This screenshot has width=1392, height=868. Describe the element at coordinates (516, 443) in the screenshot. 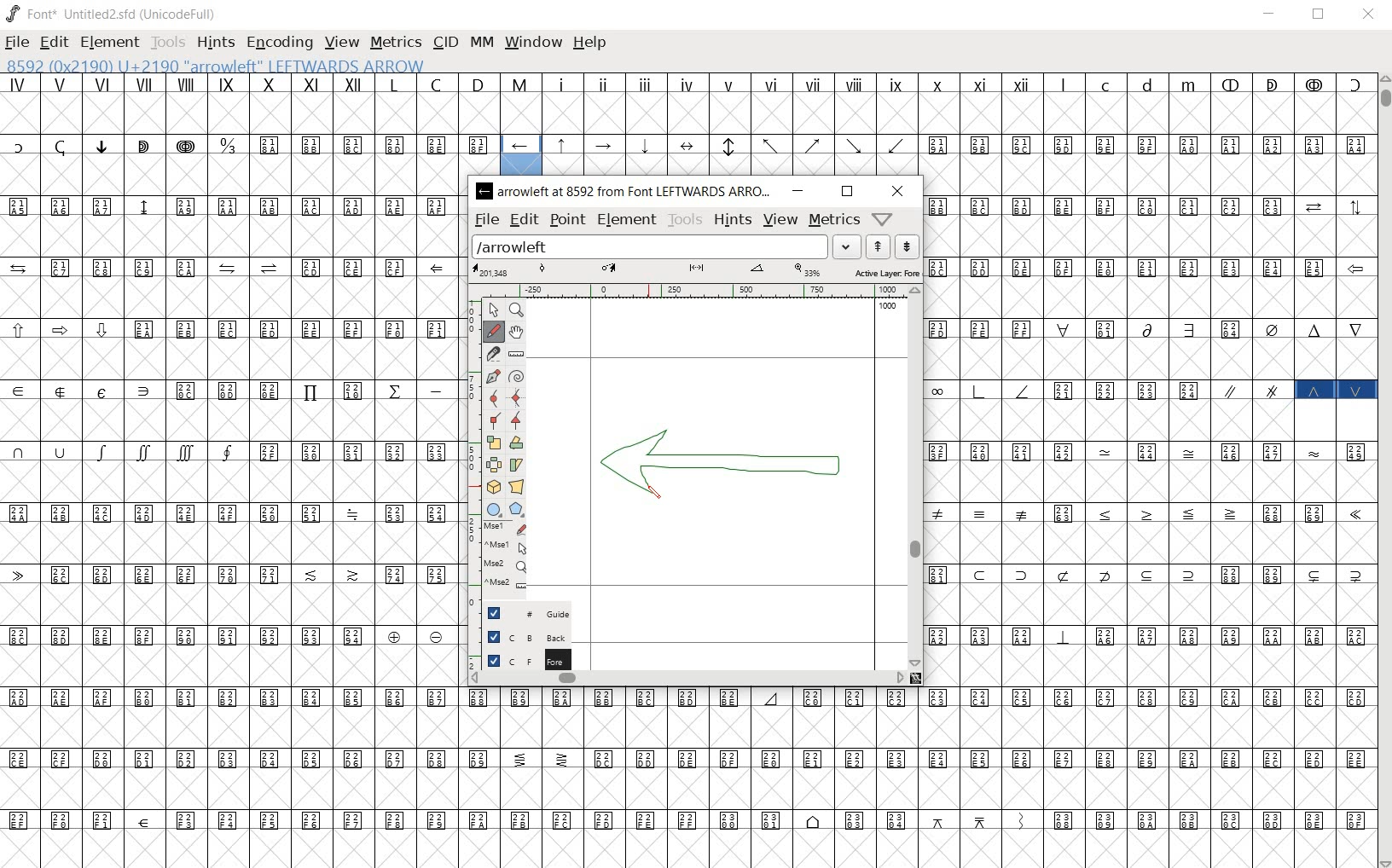

I see `Rotate the selection` at that location.